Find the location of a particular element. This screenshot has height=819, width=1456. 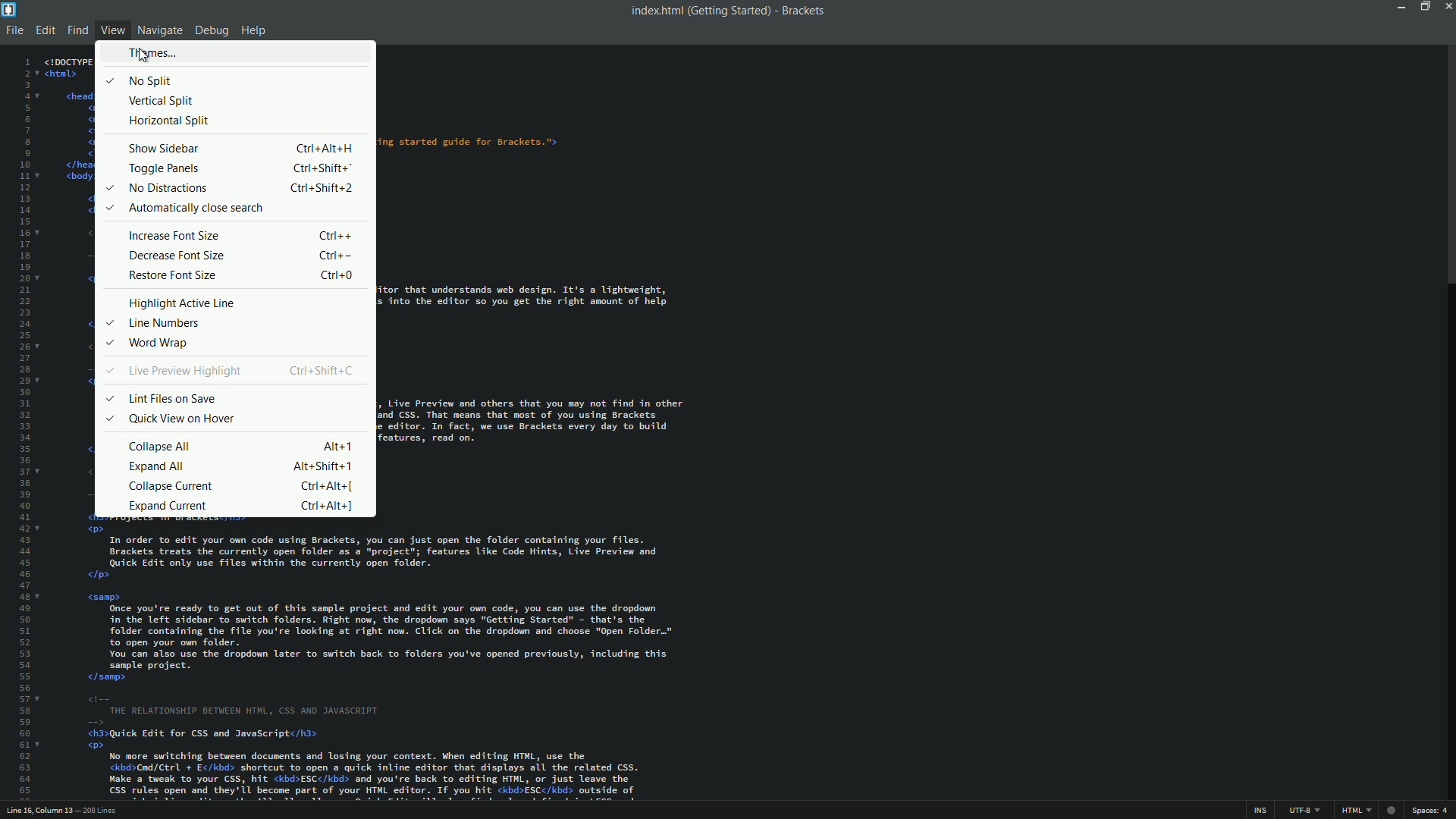

cursor is located at coordinates (144, 58).